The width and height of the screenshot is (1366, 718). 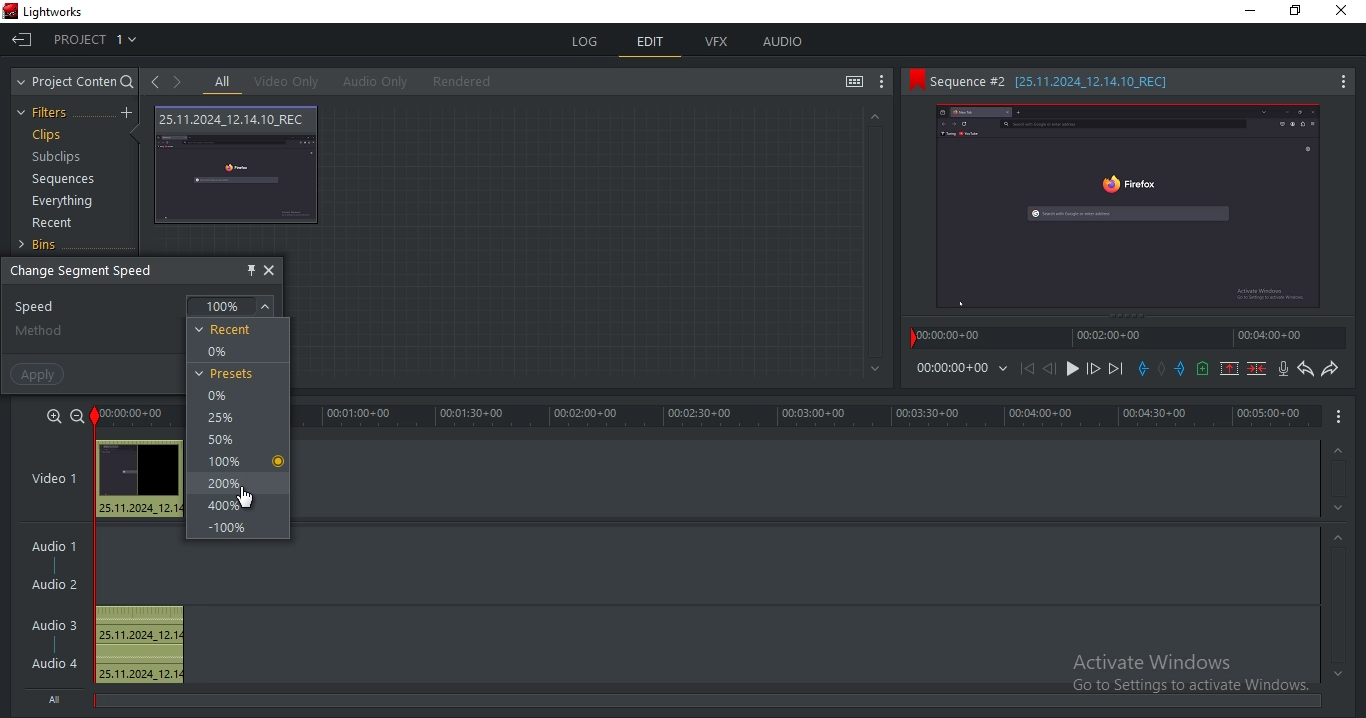 I want to click on audio, so click(x=140, y=645).